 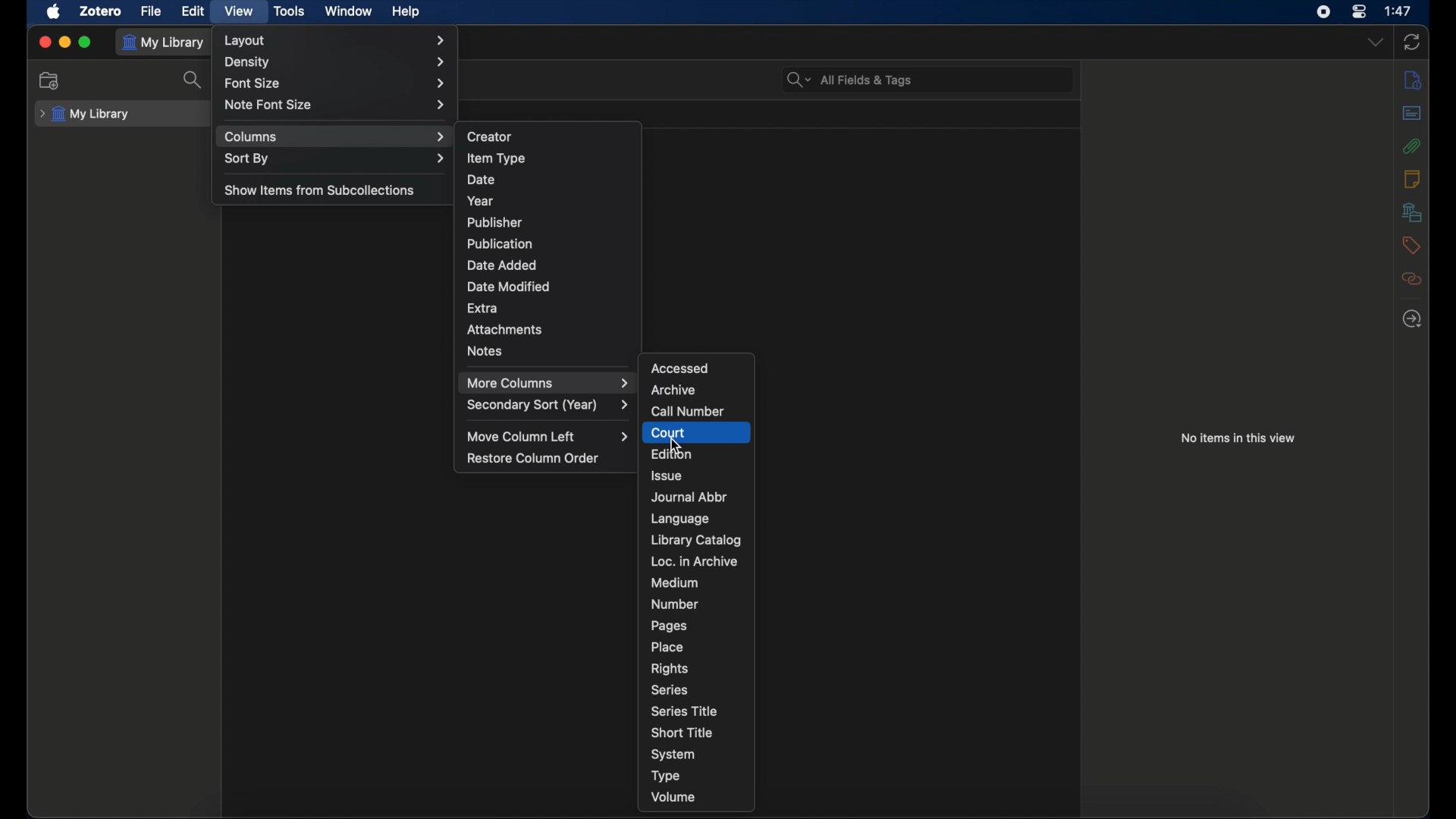 What do you see at coordinates (549, 405) in the screenshot?
I see `secondary sort` at bounding box center [549, 405].